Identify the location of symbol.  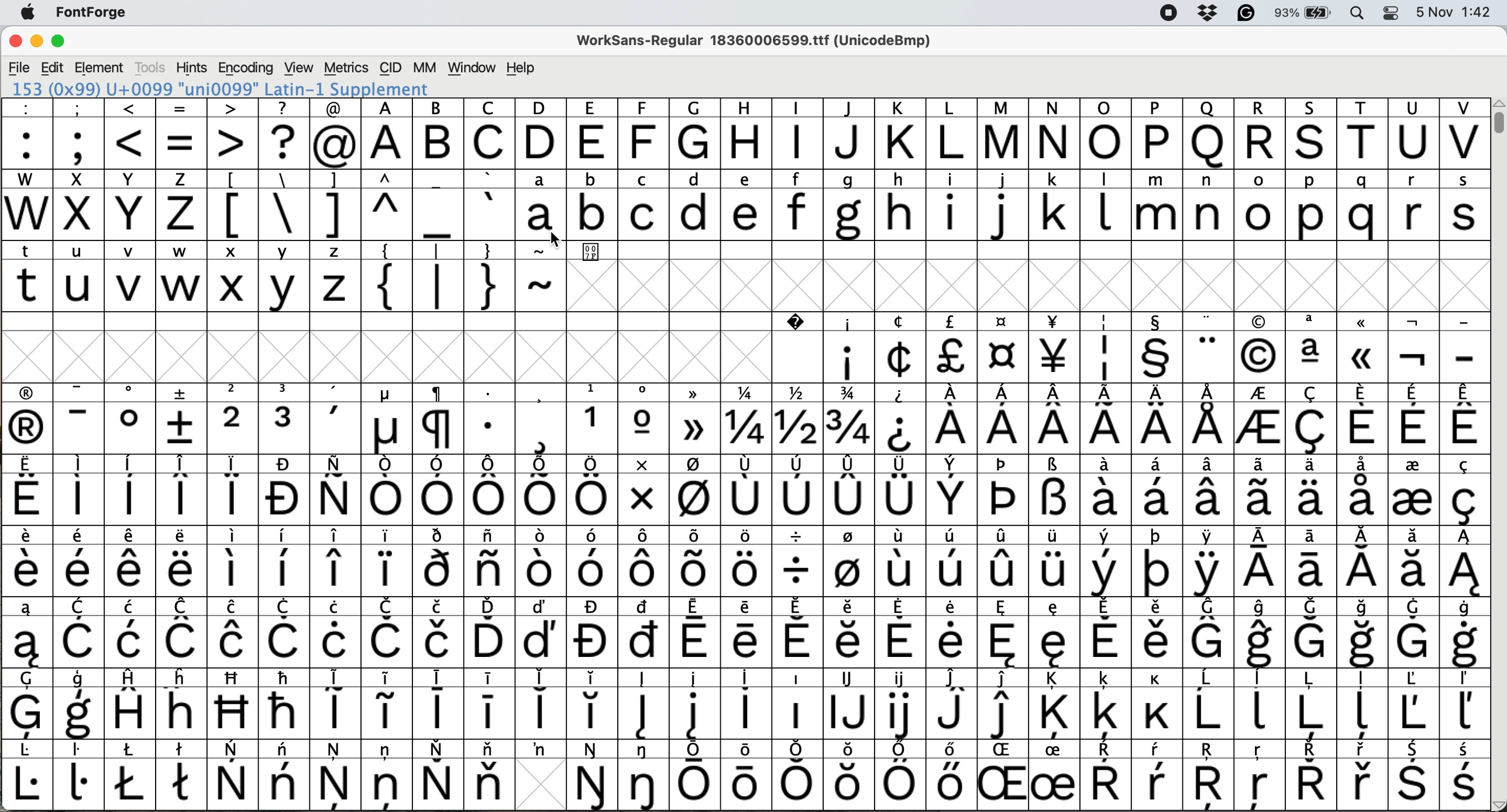
(799, 632).